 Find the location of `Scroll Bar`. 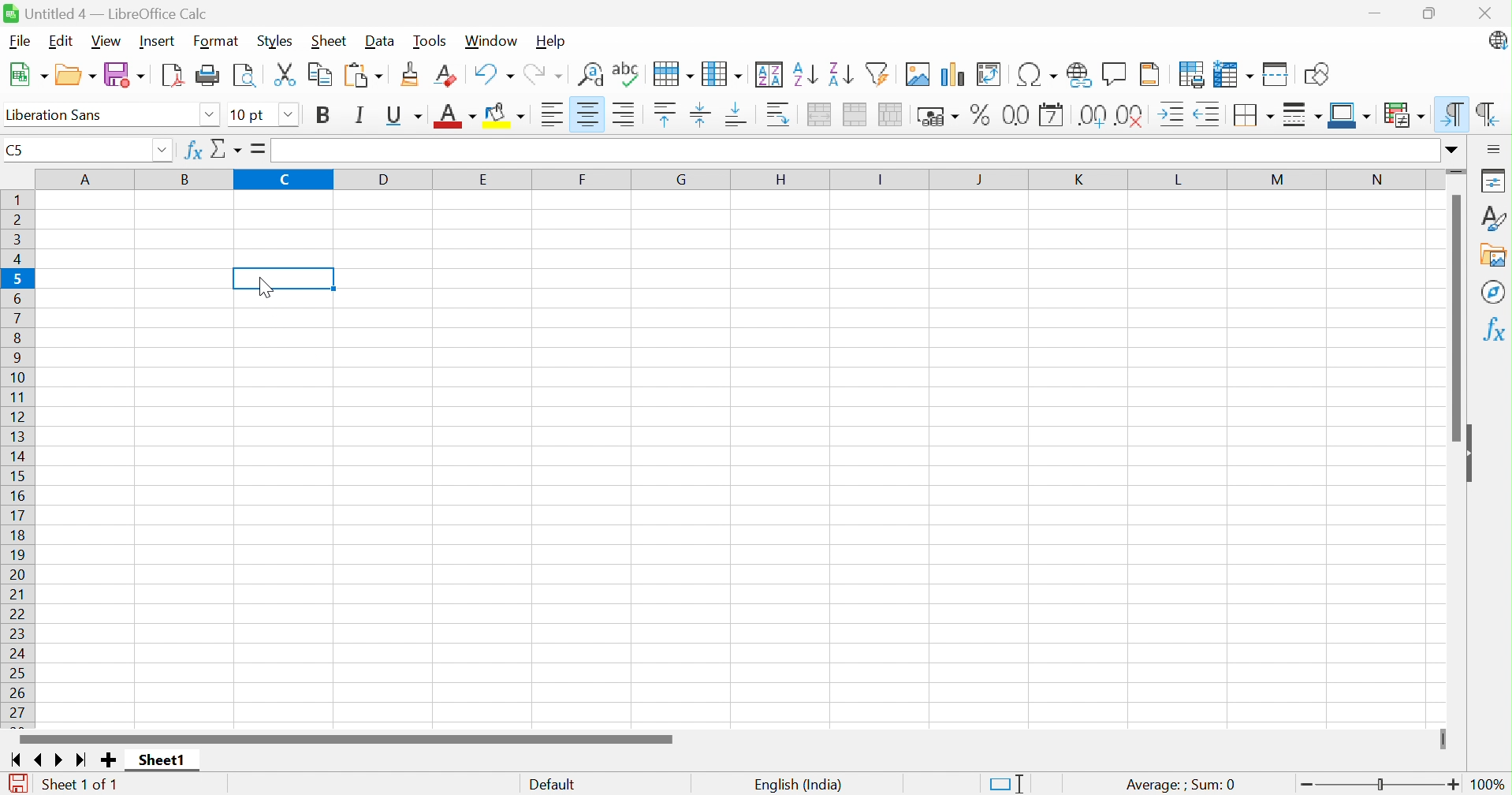

Scroll Bar is located at coordinates (346, 738).